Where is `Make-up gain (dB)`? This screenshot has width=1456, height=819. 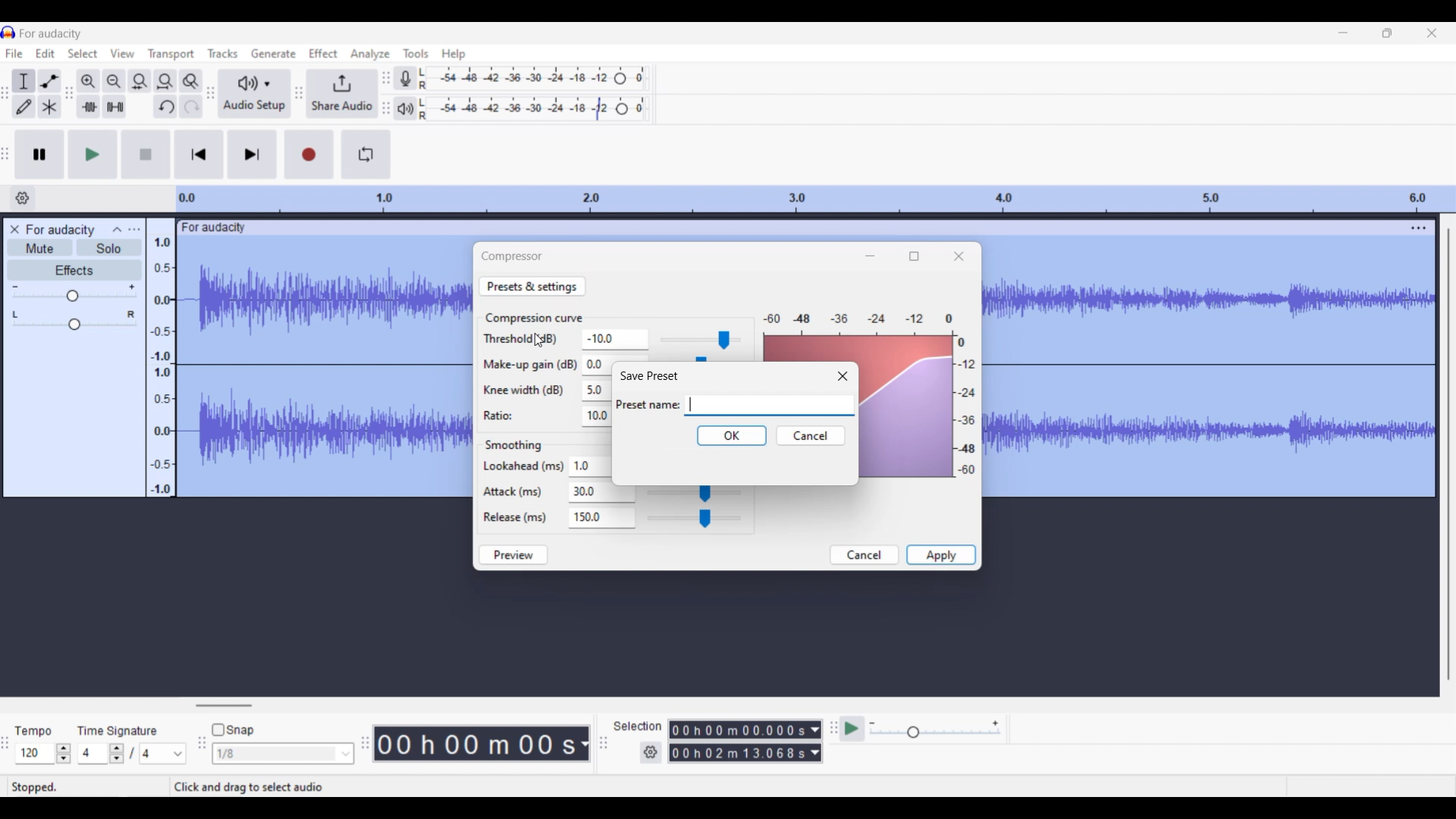
Make-up gain (dB) is located at coordinates (527, 366).